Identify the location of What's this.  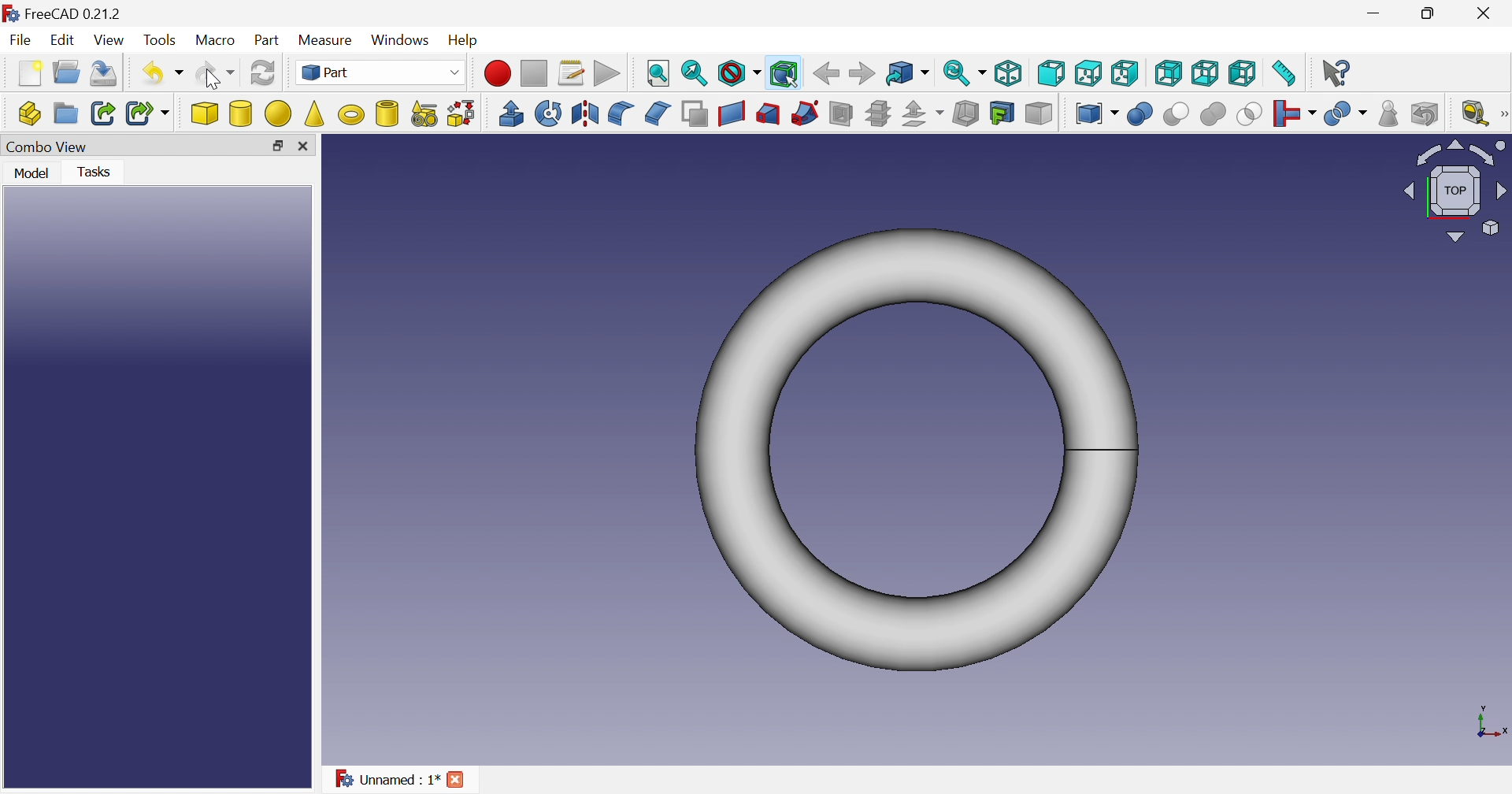
(1336, 73).